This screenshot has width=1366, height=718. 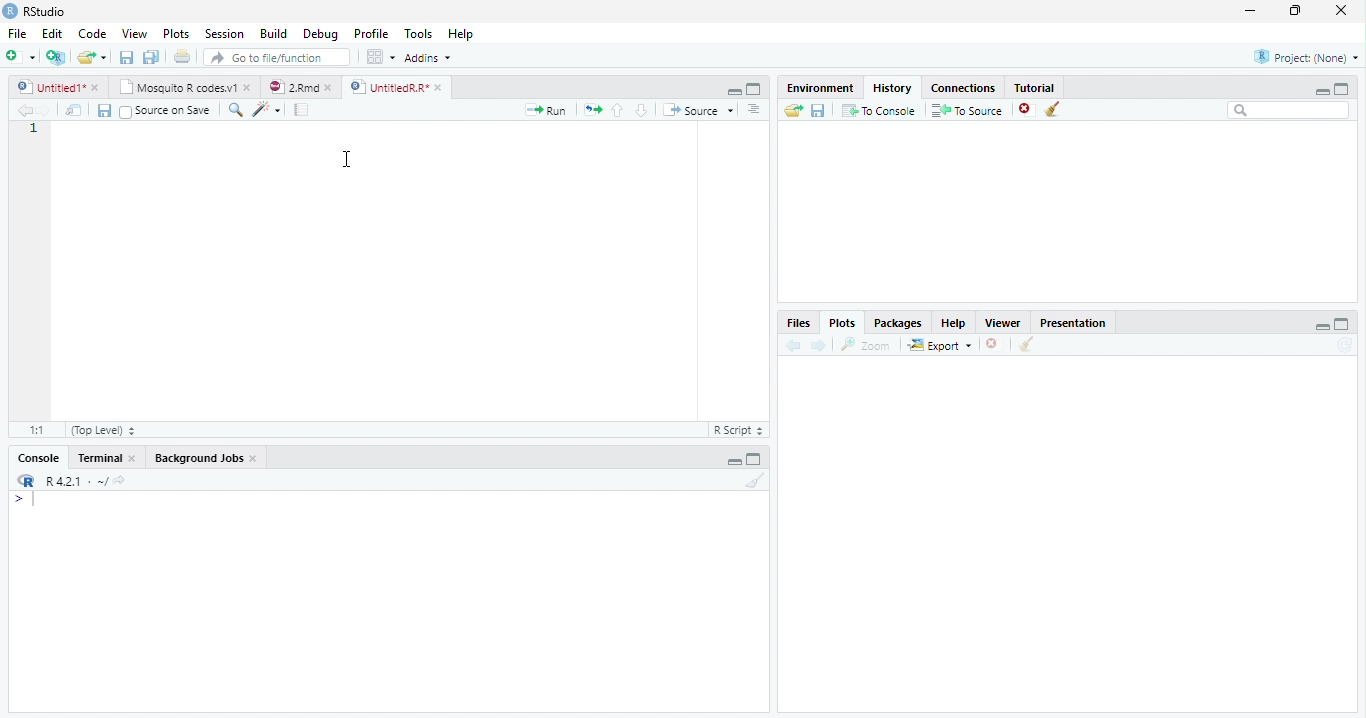 I want to click on Down, so click(x=642, y=111).